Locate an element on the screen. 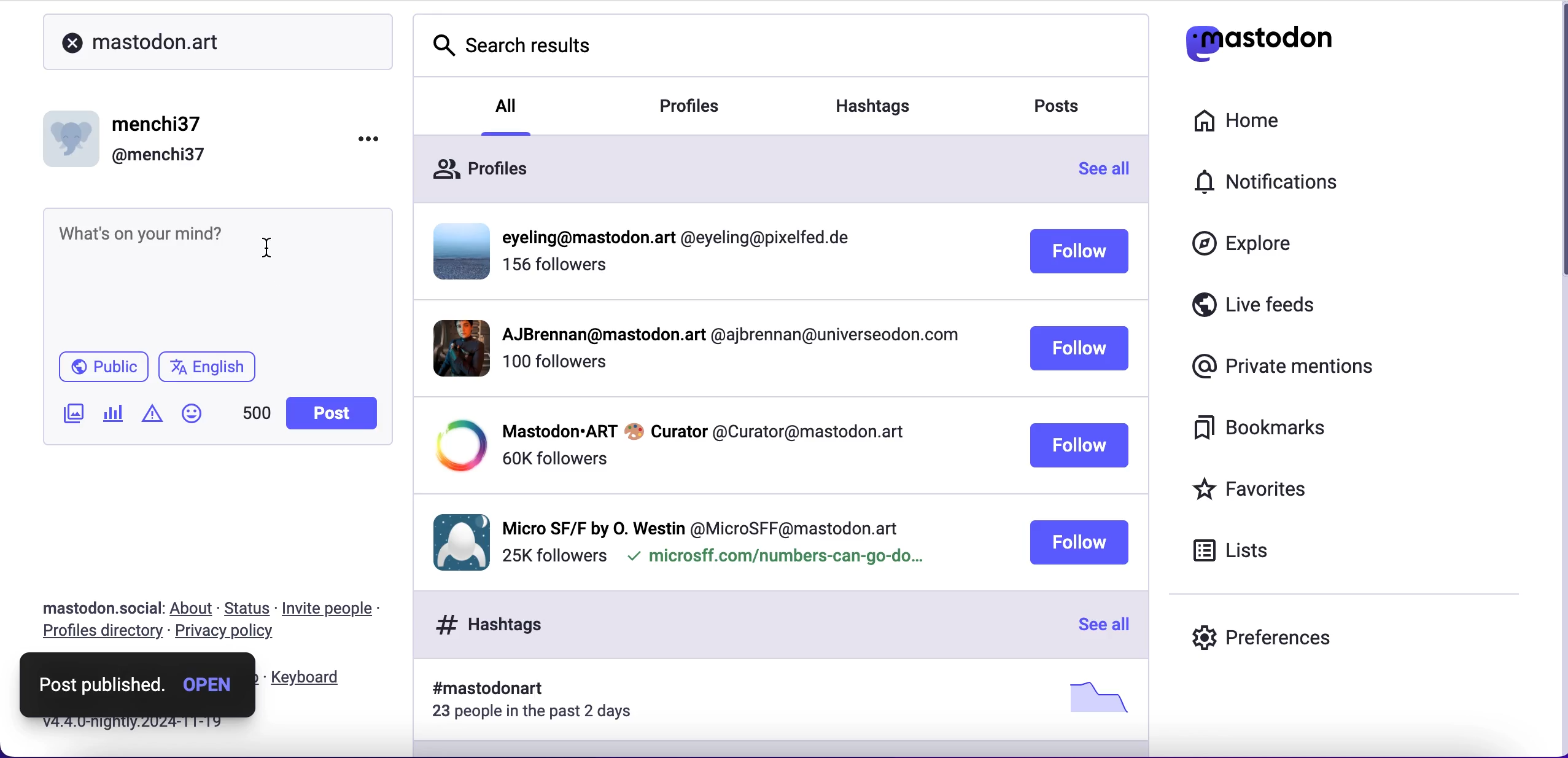 This screenshot has width=1568, height=758. profile is located at coordinates (703, 430).